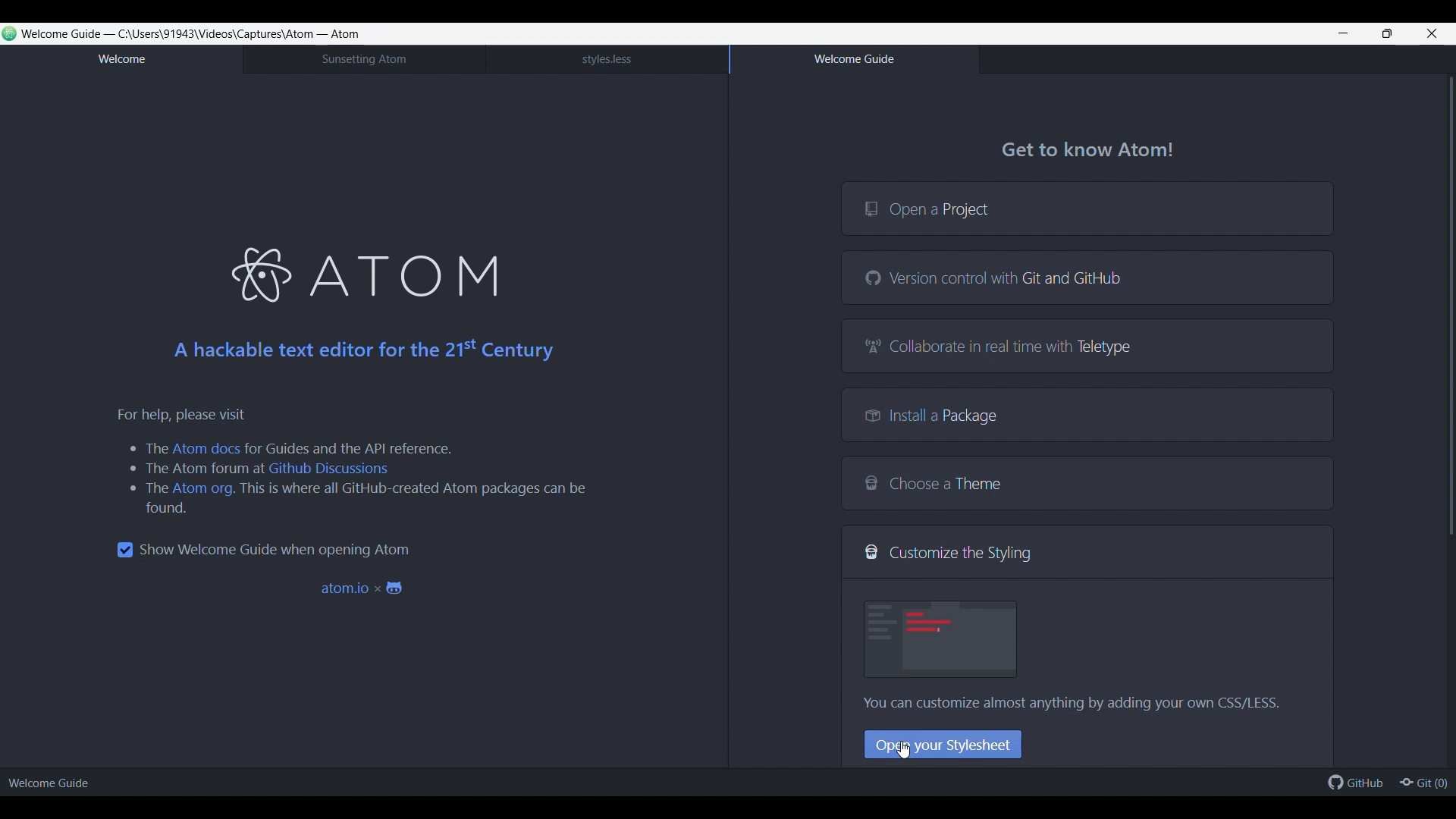 This screenshot has height=819, width=1456. What do you see at coordinates (119, 549) in the screenshot?
I see `checkbox` at bounding box center [119, 549].